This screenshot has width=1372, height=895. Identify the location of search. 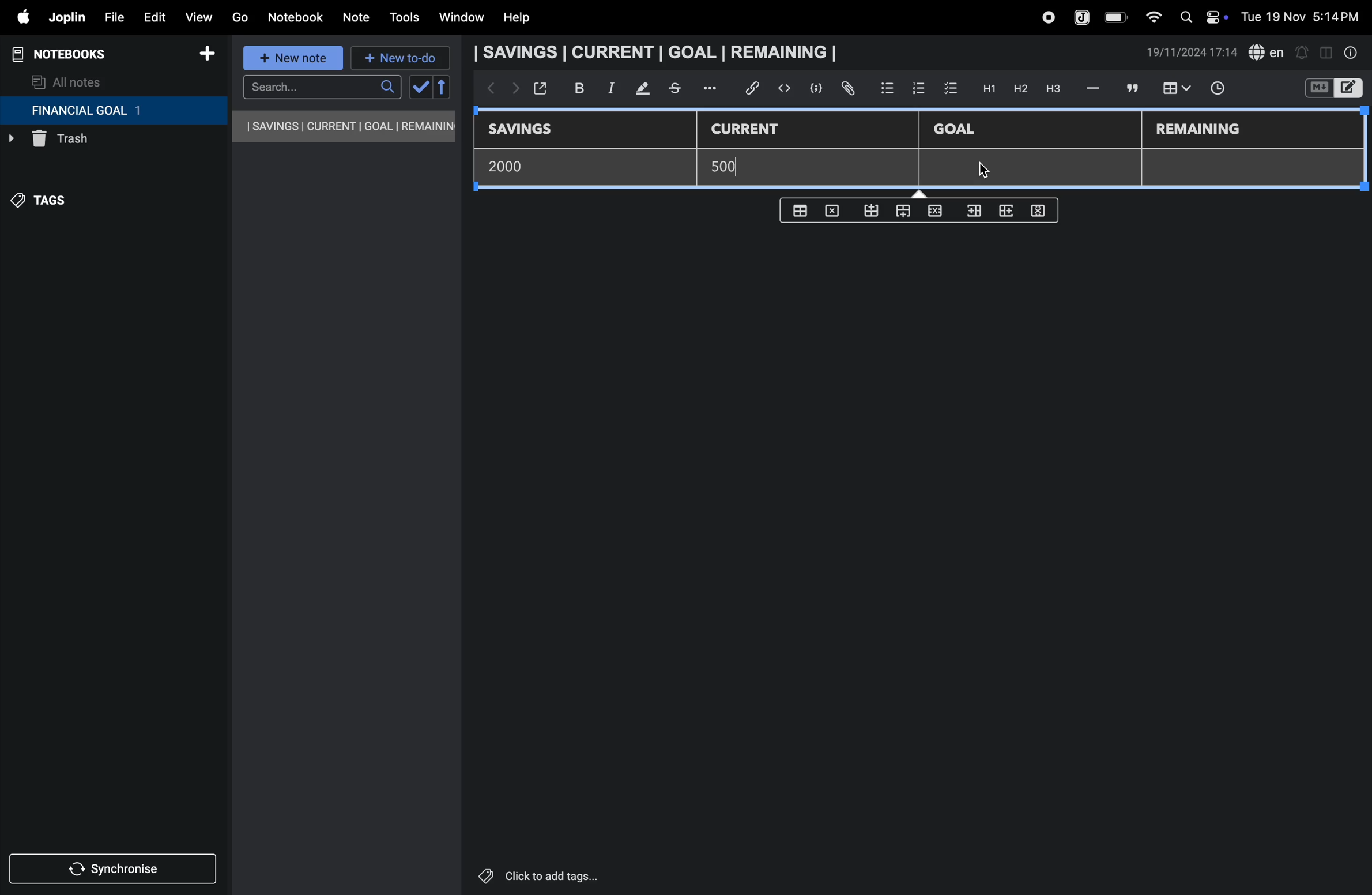
(322, 87).